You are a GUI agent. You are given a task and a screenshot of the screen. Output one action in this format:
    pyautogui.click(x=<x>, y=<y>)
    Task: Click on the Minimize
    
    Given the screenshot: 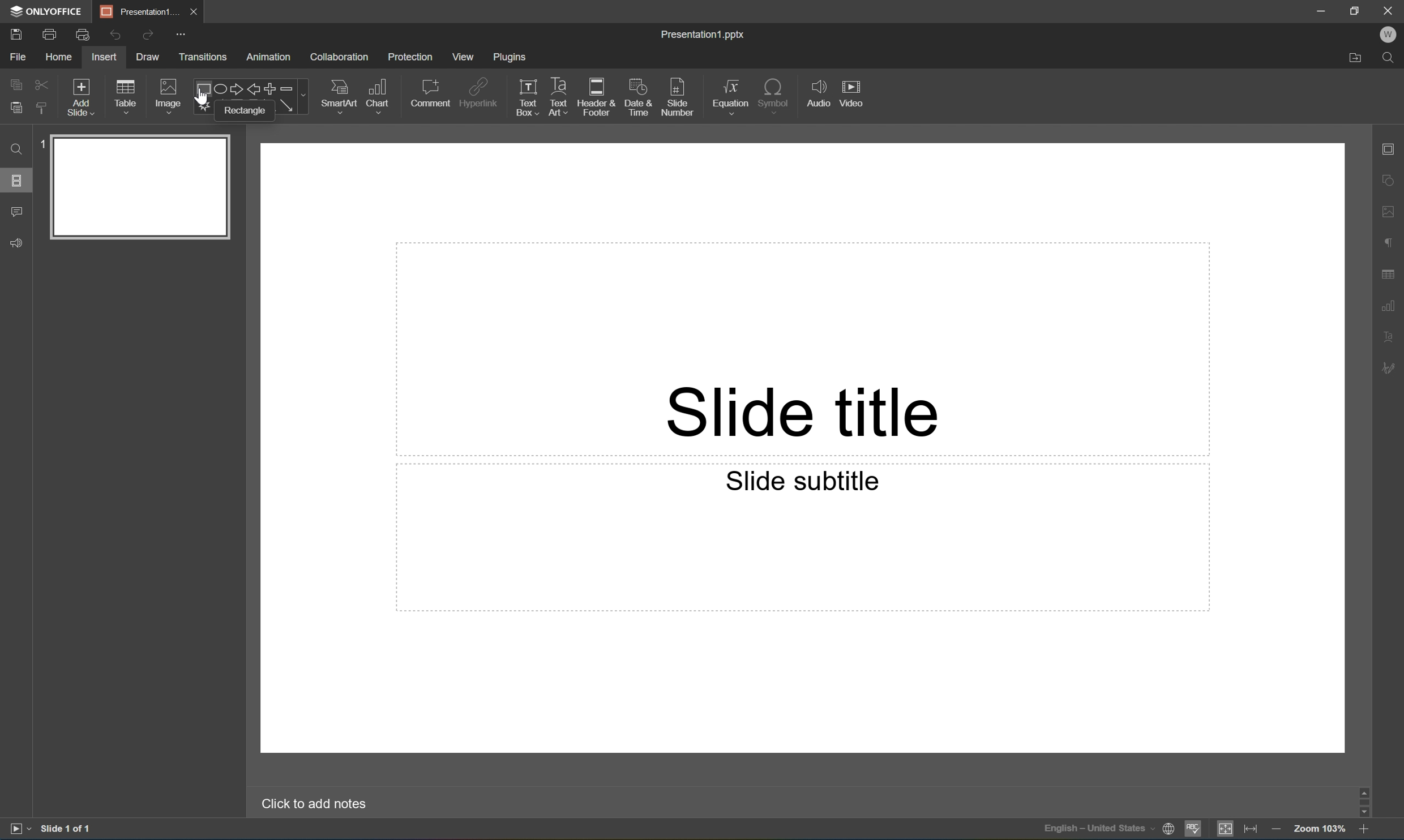 What is the action you would take?
    pyautogui.click(x=1321, y=9)
    